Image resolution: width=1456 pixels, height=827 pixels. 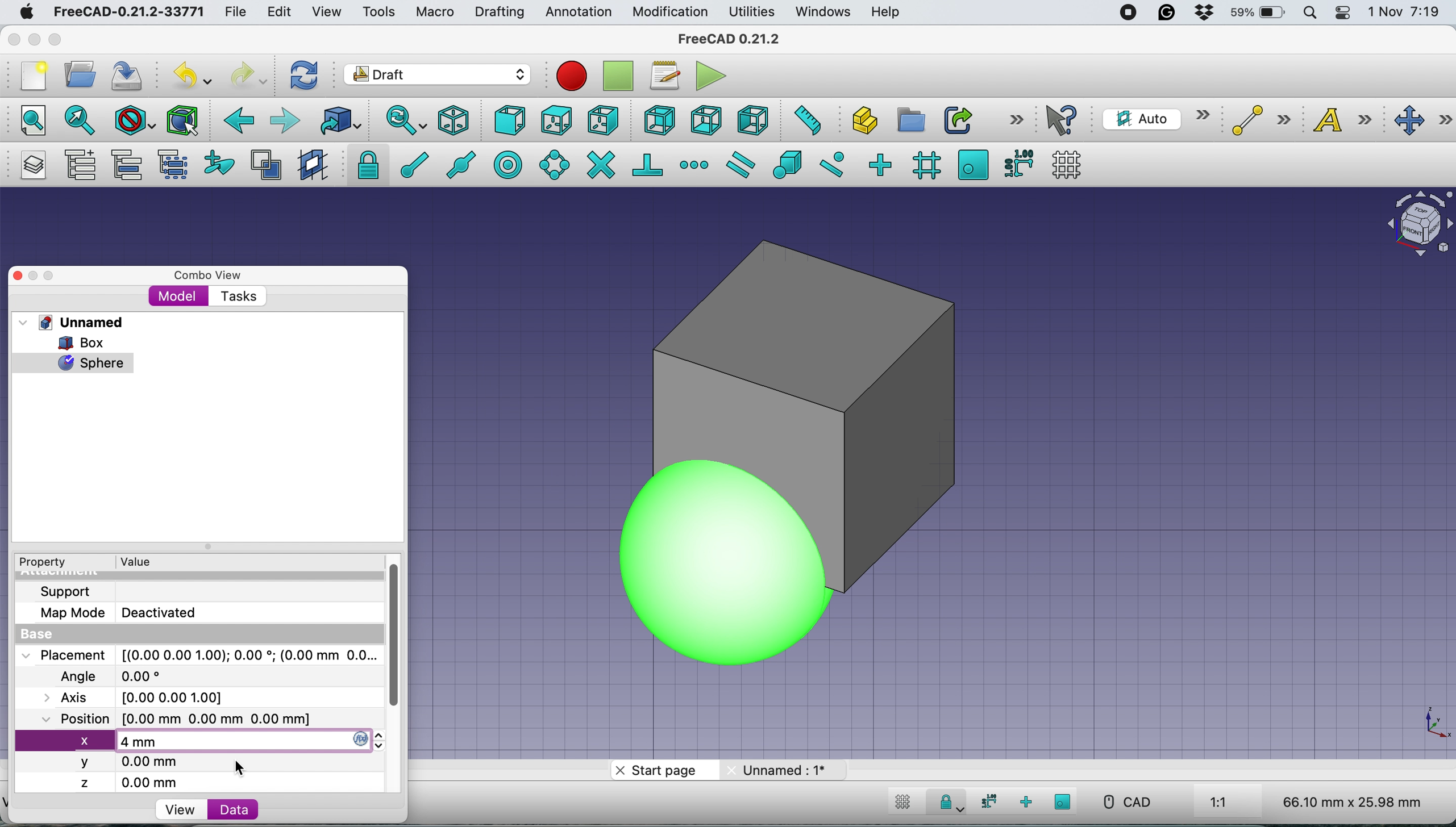 What do you see at coordinates (60, 41) in the screenshot?
I see `maximise` at bounding box center [60, 41].